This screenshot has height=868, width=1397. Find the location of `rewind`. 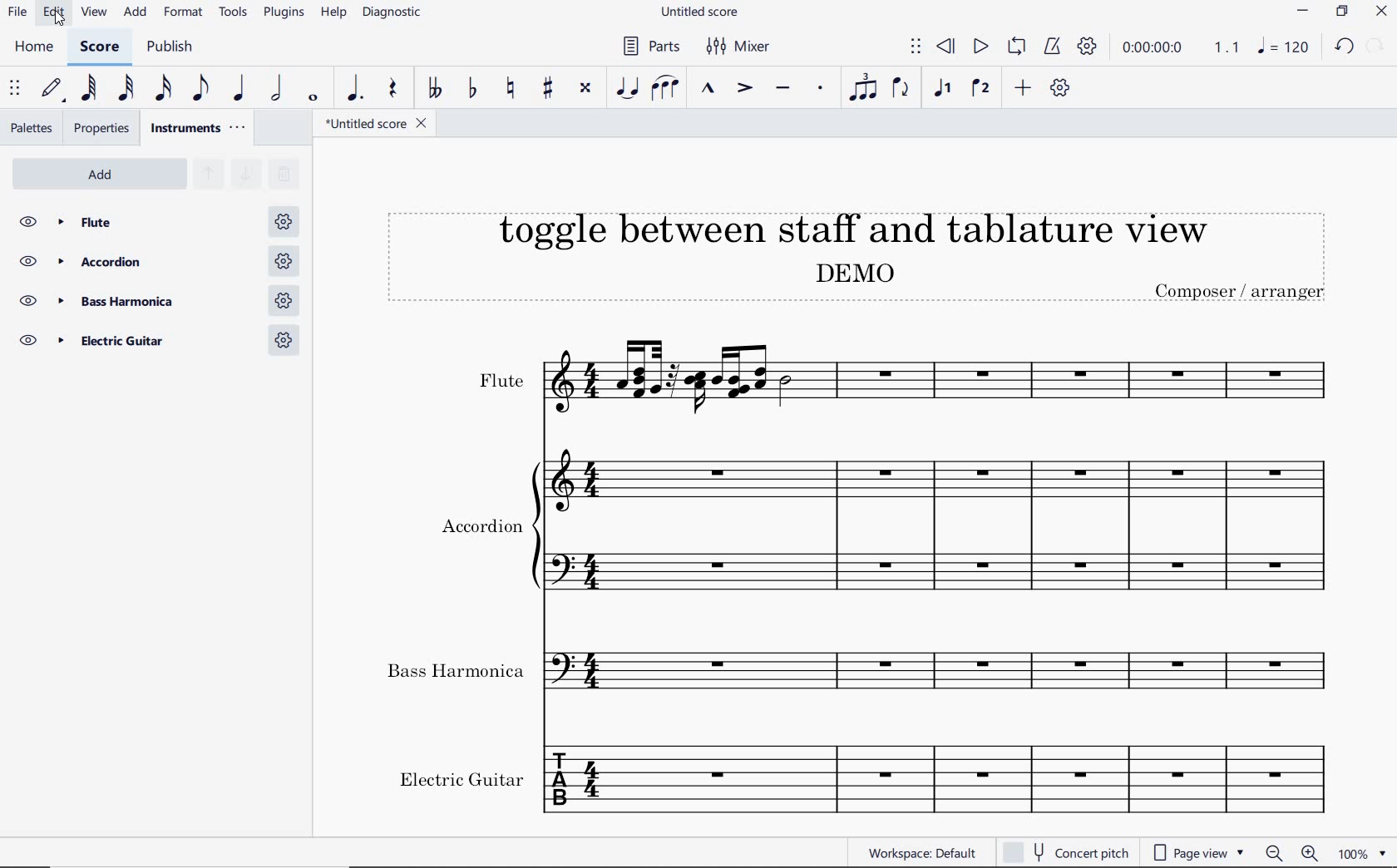

rewind is located at coordinates (945, 46).